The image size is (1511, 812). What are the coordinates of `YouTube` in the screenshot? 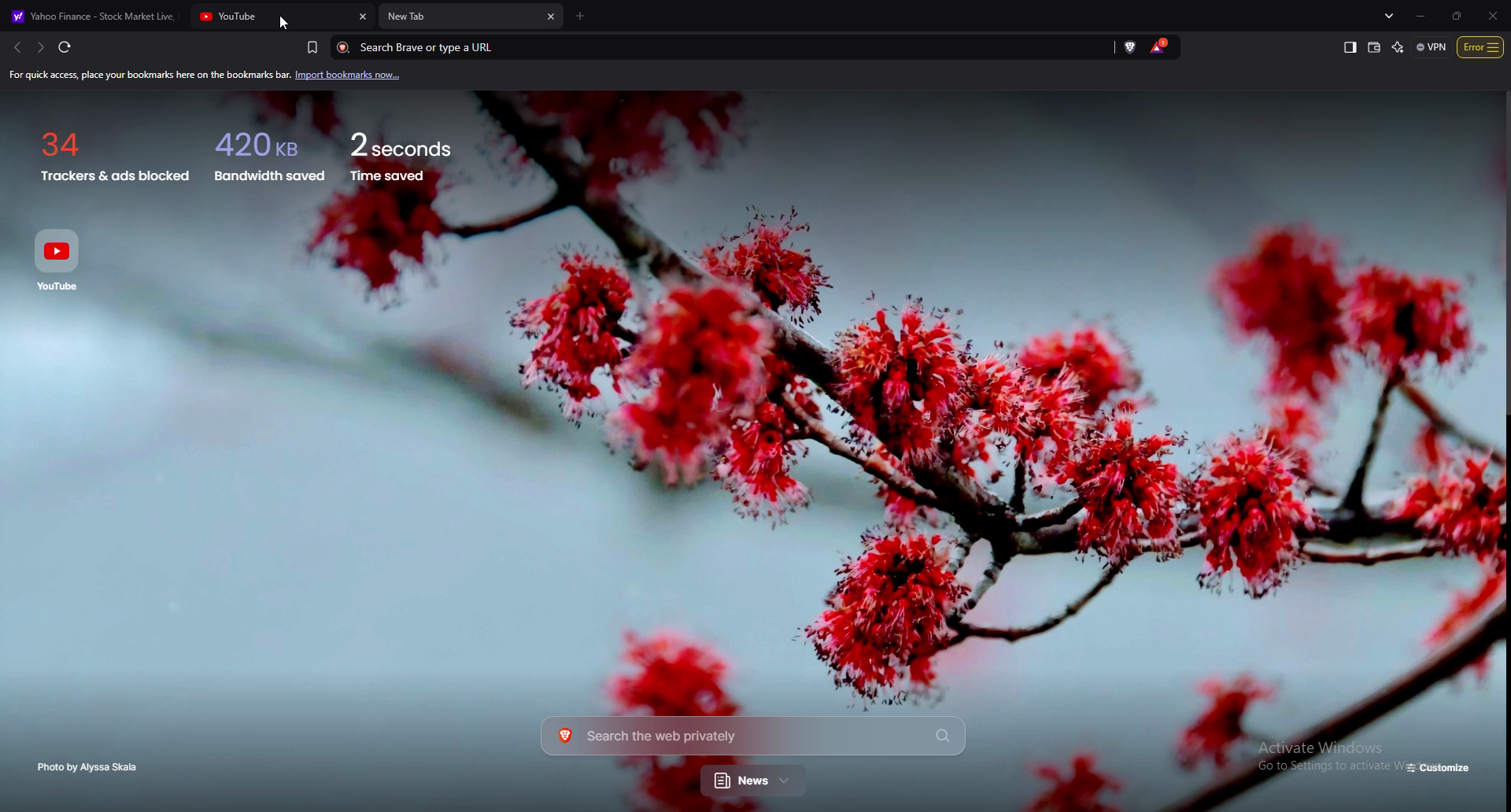 It's located at (272, 17).